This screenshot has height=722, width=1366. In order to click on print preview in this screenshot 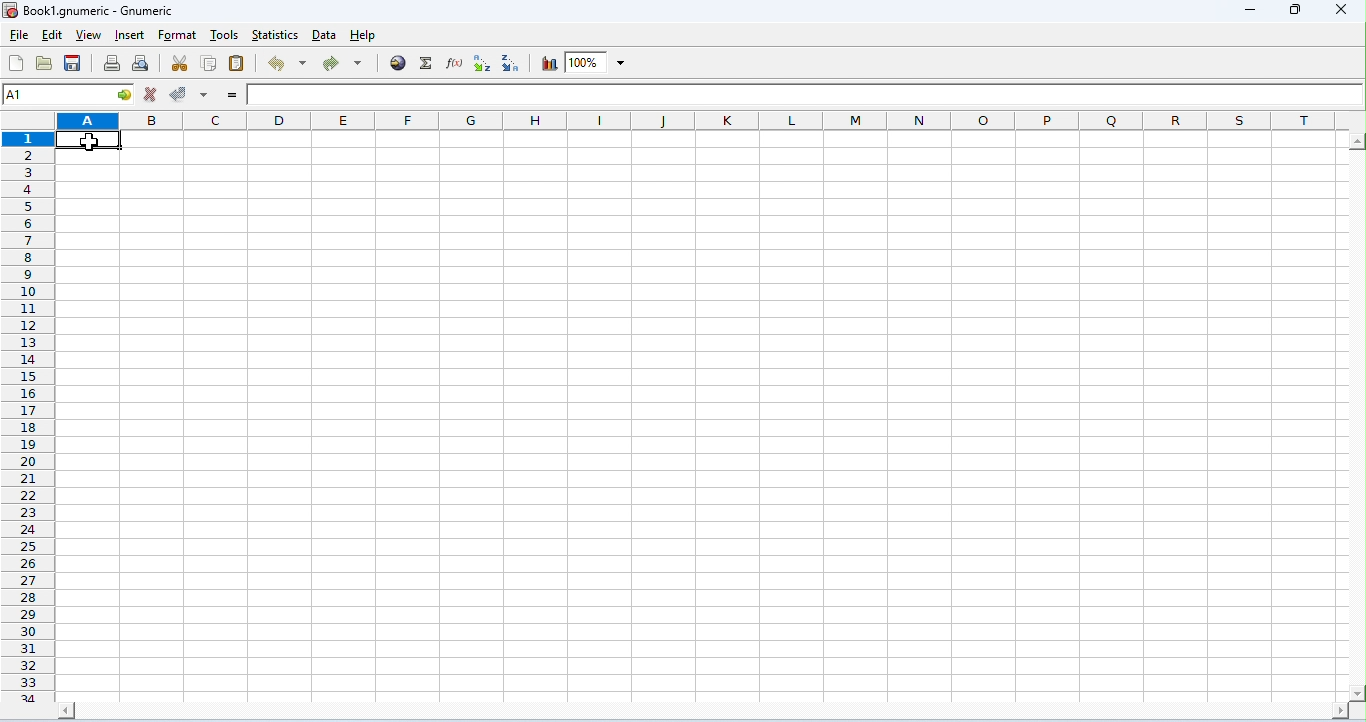, I will do `click(140, 62)`.